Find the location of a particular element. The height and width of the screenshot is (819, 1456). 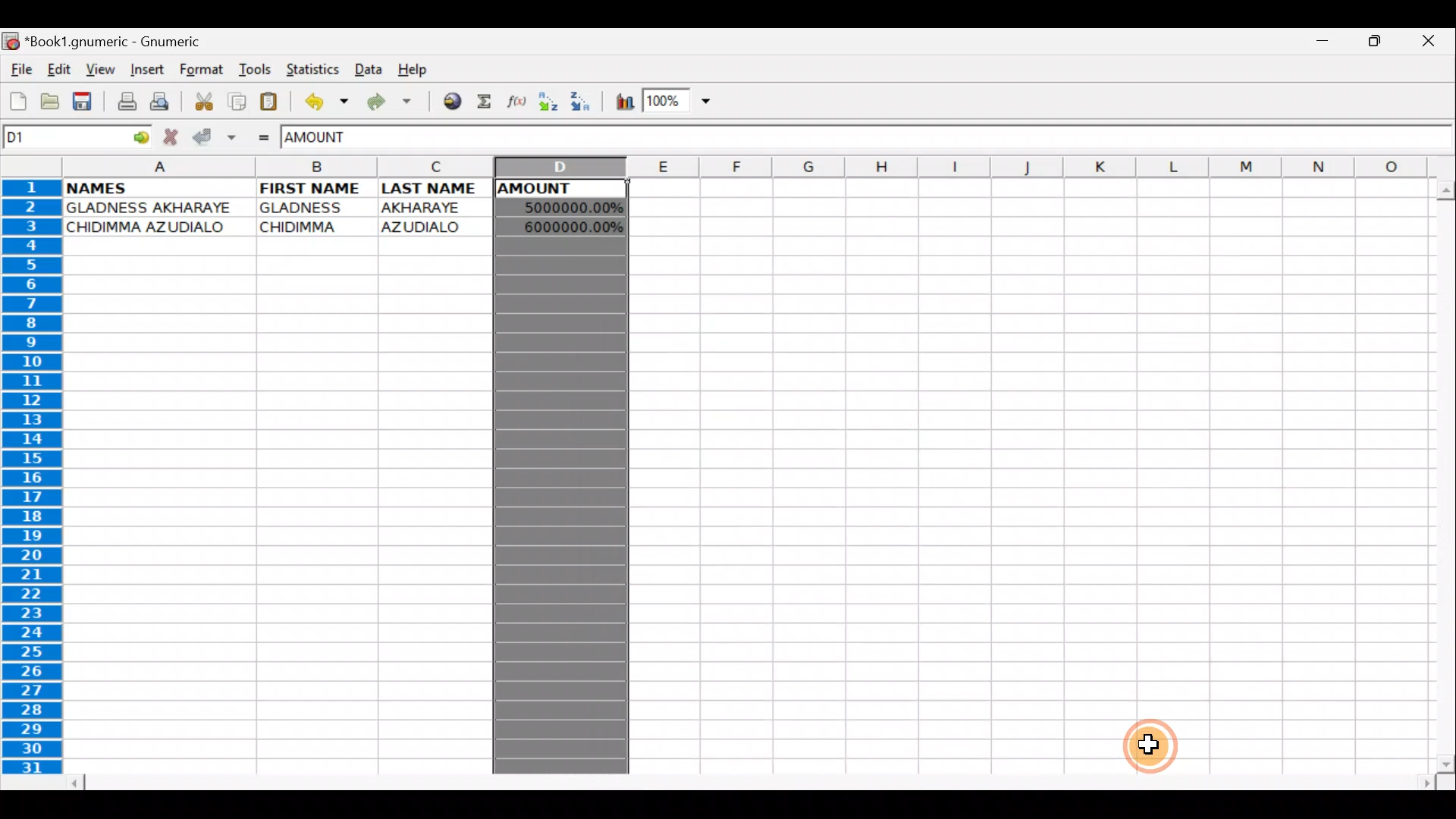

Sort Ascending order is located at coordinates (550, 102).